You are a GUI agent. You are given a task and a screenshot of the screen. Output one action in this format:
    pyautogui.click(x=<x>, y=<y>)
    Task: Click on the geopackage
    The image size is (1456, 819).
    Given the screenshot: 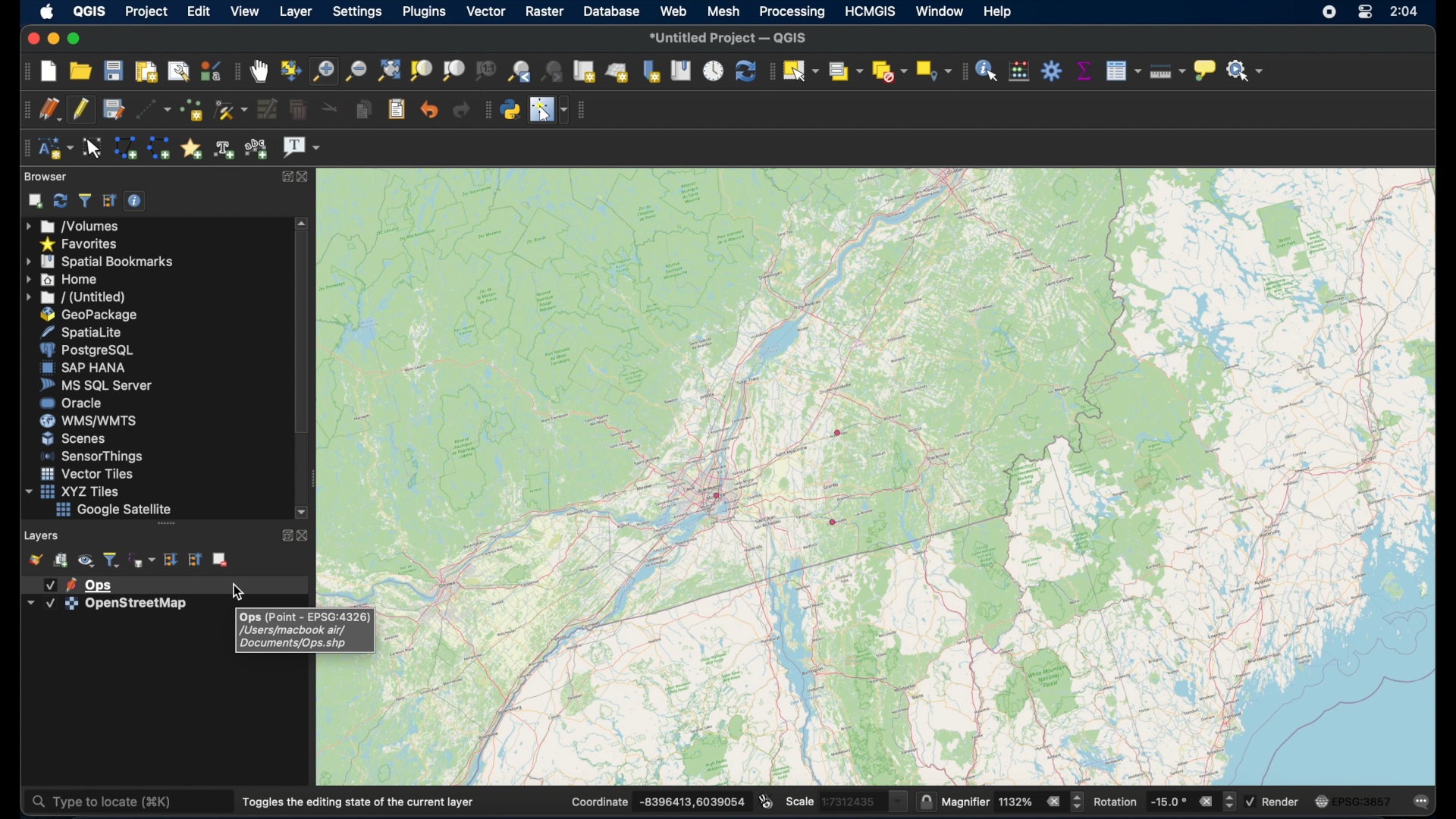 What is the action you would take?
    pyautogui.click(x=84, y=315)
    